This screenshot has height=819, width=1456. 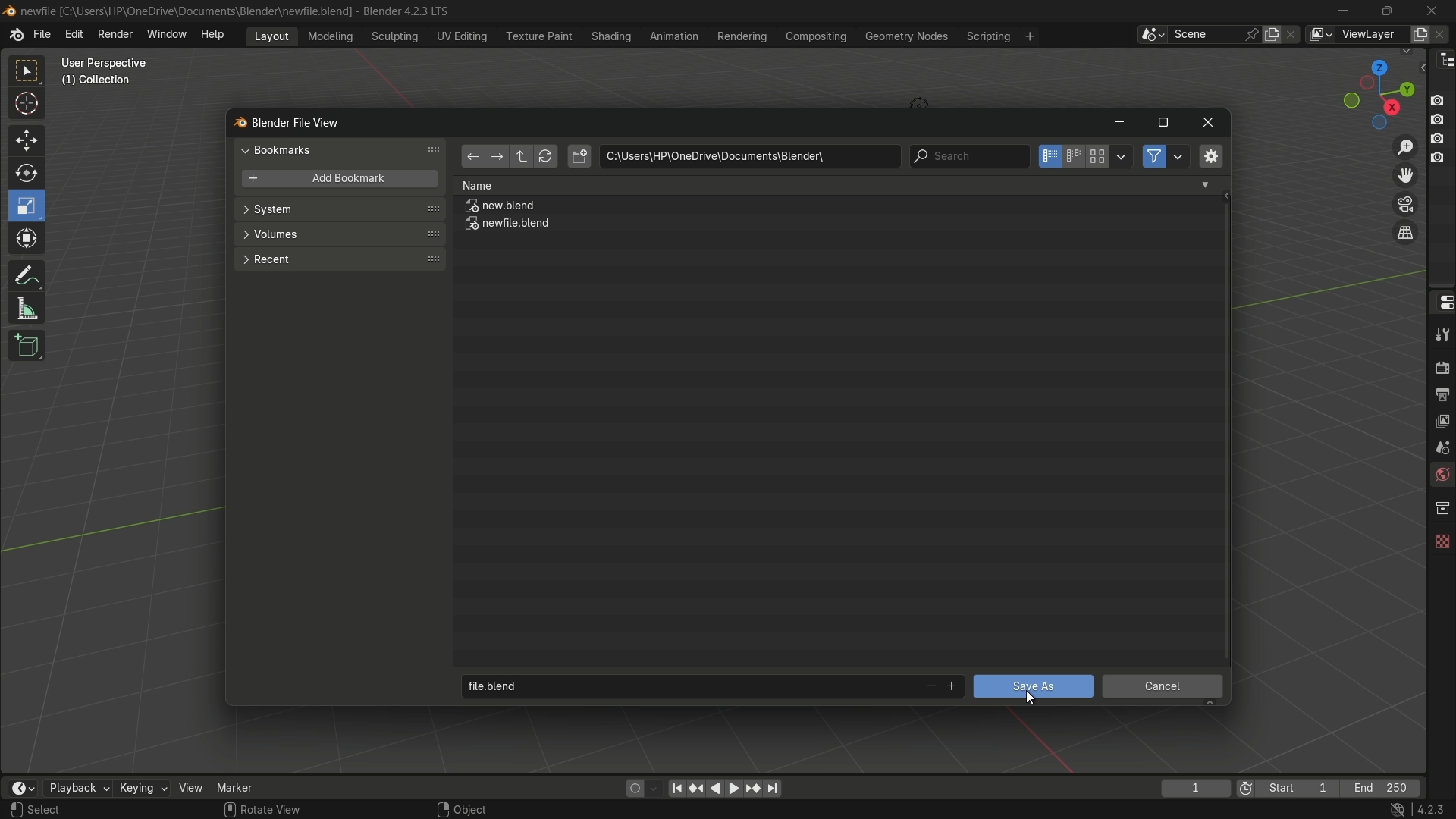 I want to click on rendering menu, so click(x=744, y=36).